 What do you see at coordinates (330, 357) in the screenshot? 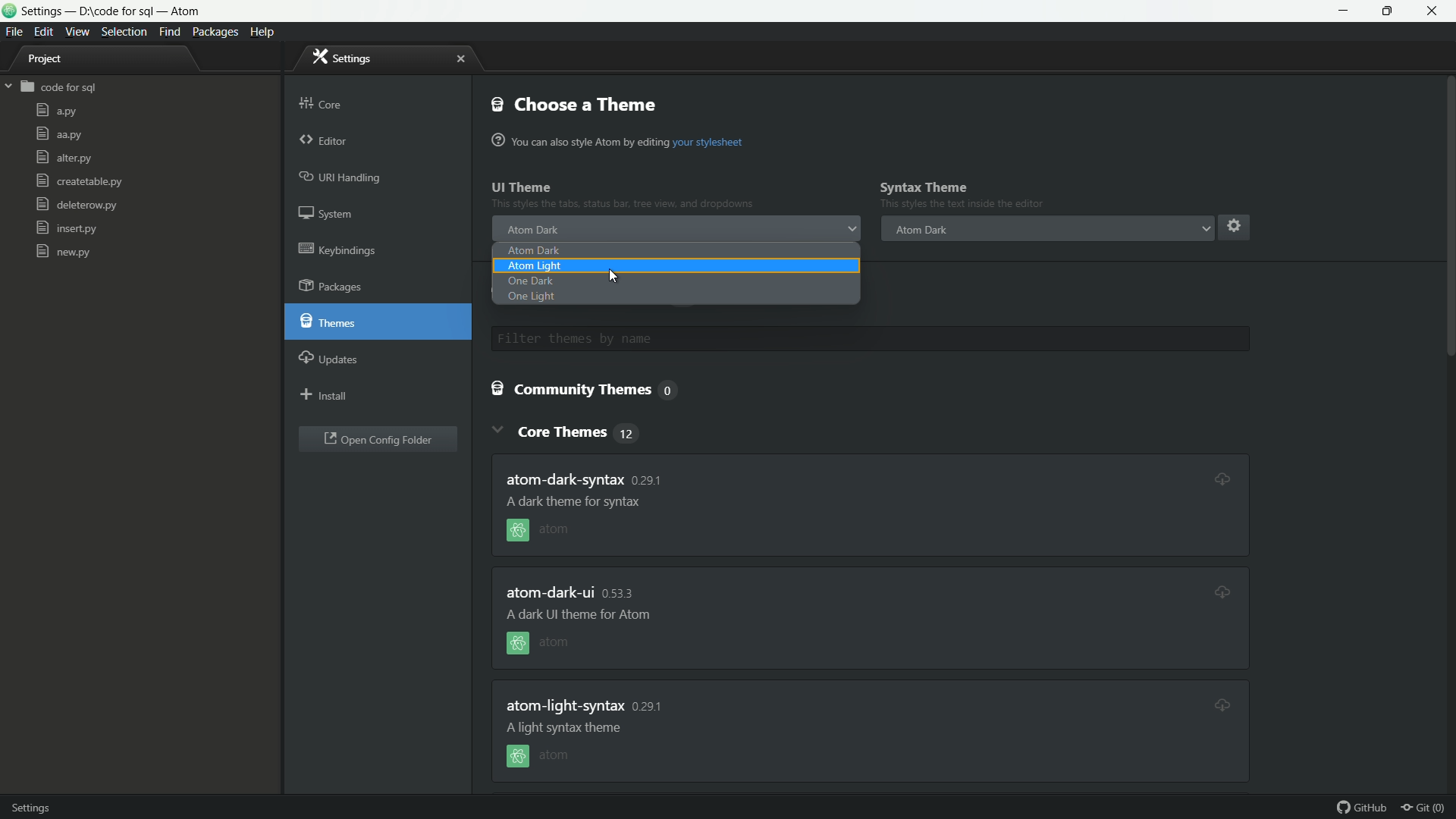
I see `updates` at bounding box center [330, 357].